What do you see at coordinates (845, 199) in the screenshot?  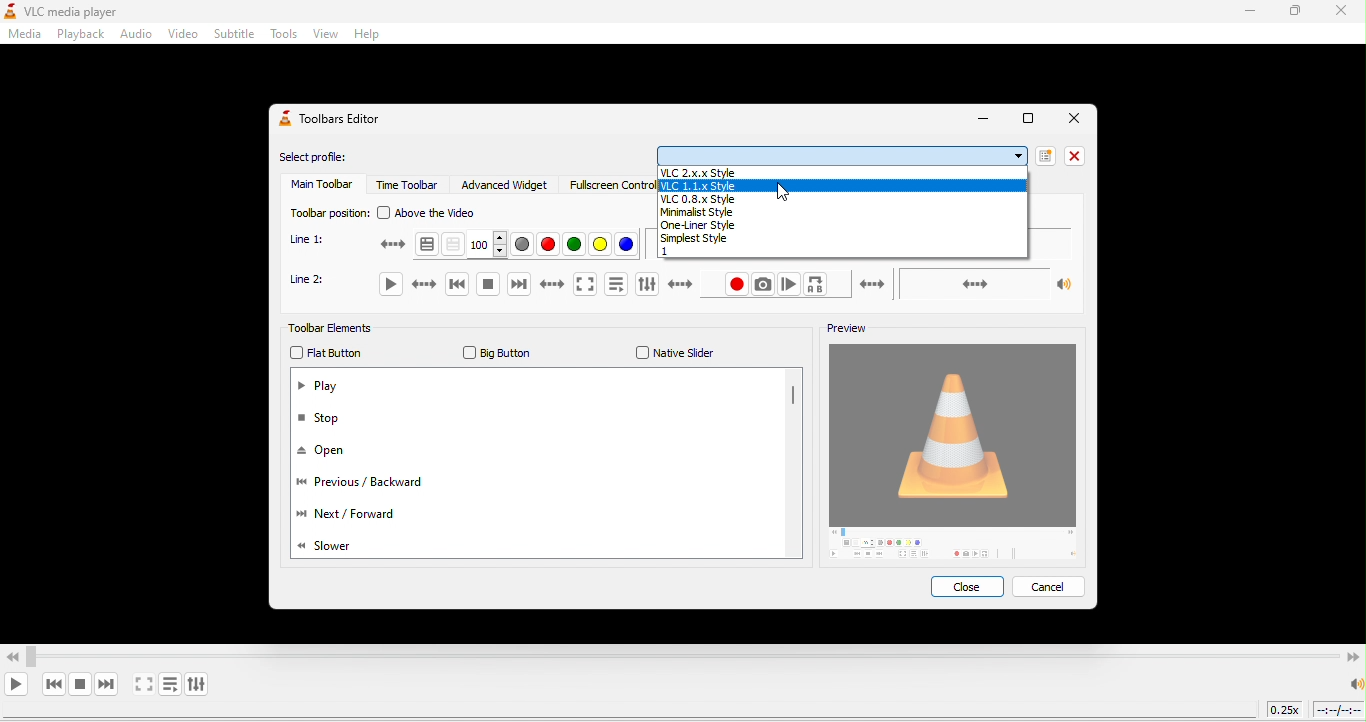 I see `vlc08xstyle` at bounding box center [845, 199].